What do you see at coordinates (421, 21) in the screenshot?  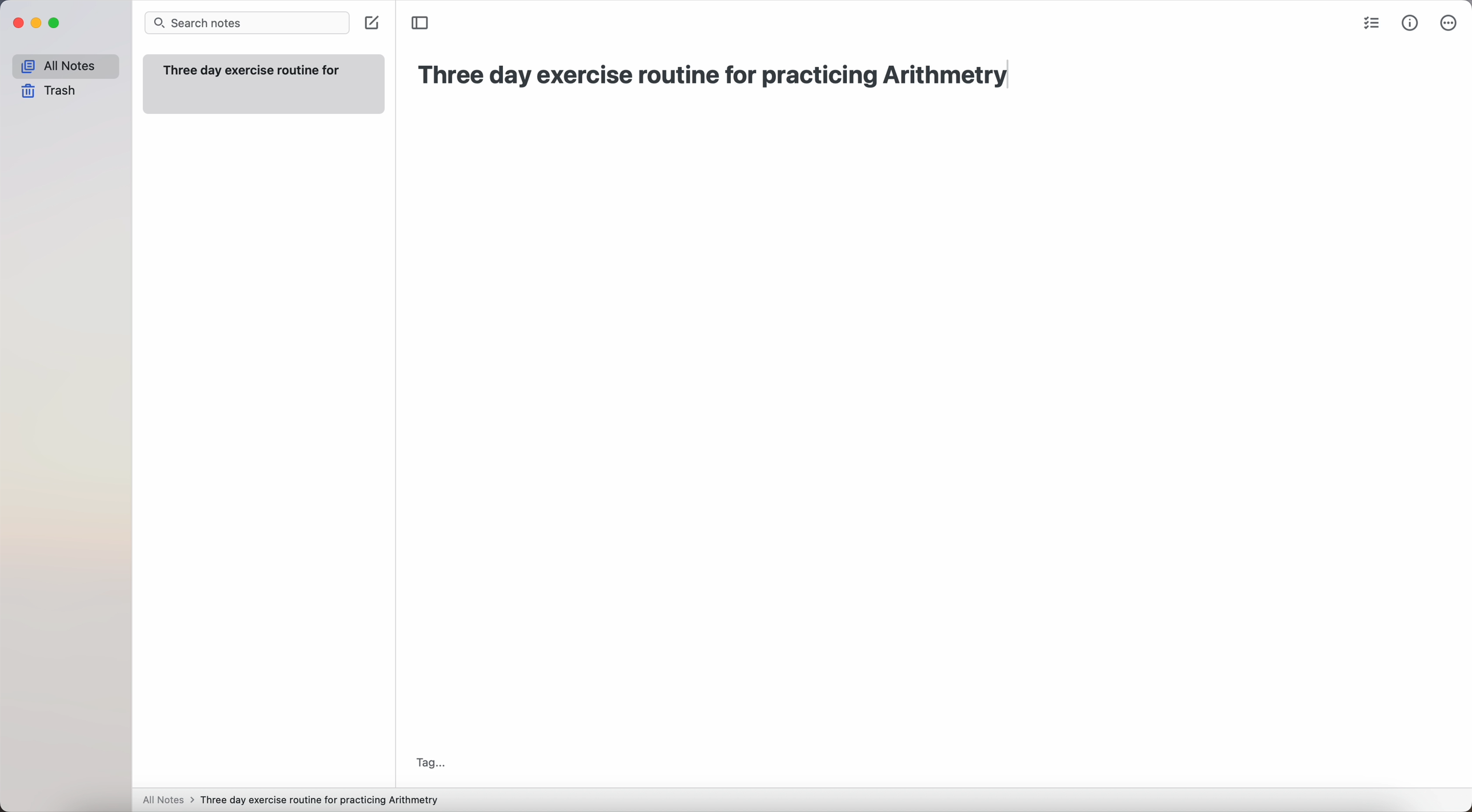 I see `toggle sidebar` at bounding box center [421, 21].